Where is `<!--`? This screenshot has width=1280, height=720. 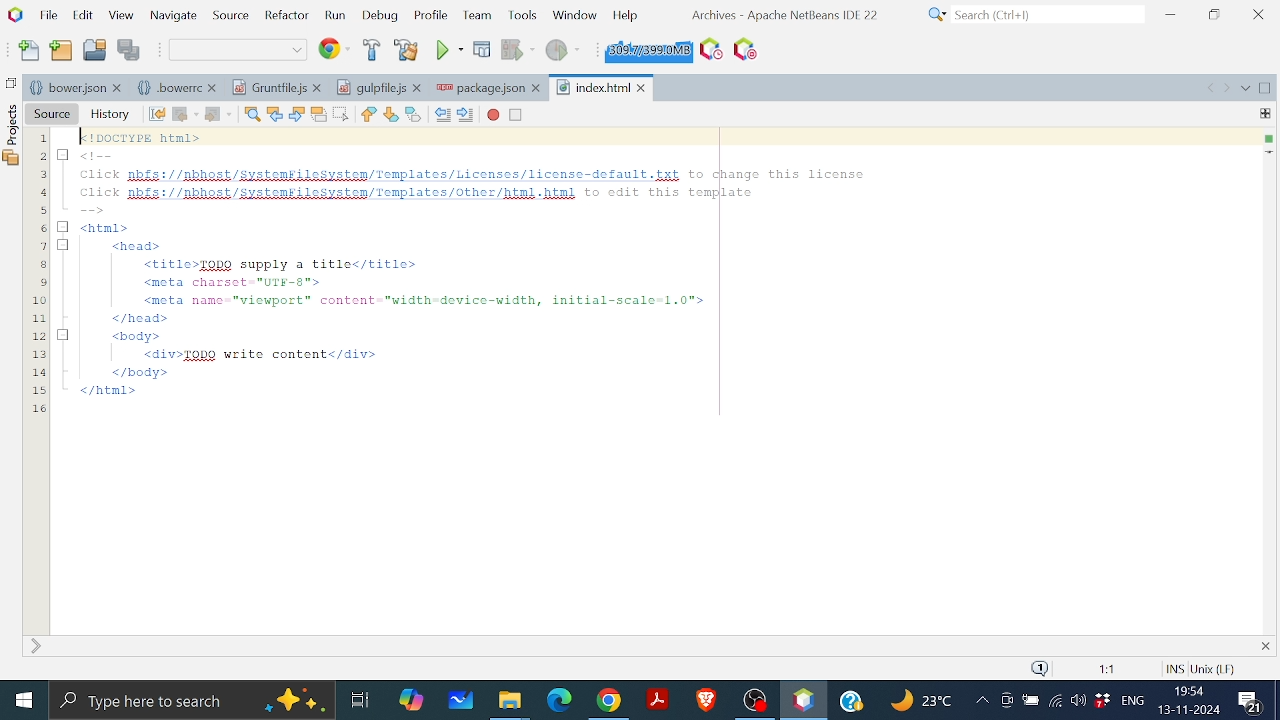 <!-- is located at coordinates (102, 156).